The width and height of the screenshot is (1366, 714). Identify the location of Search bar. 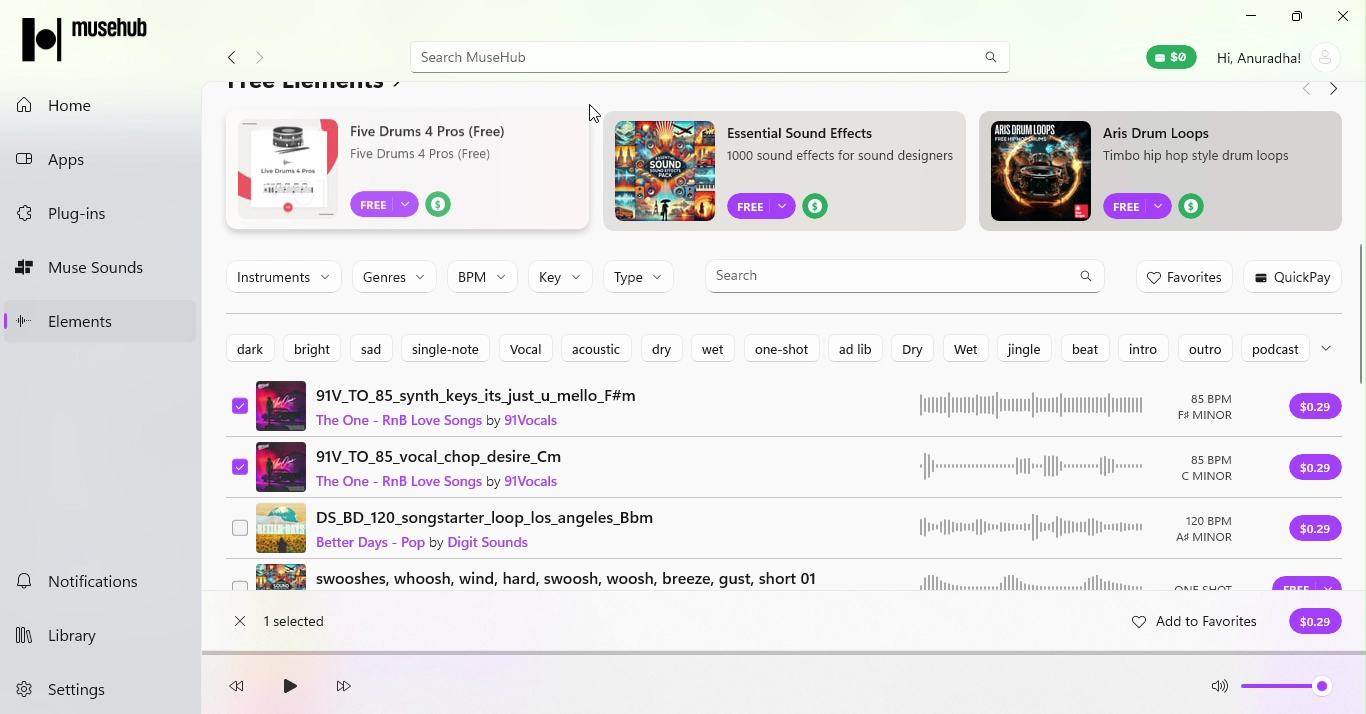
(682, 57).